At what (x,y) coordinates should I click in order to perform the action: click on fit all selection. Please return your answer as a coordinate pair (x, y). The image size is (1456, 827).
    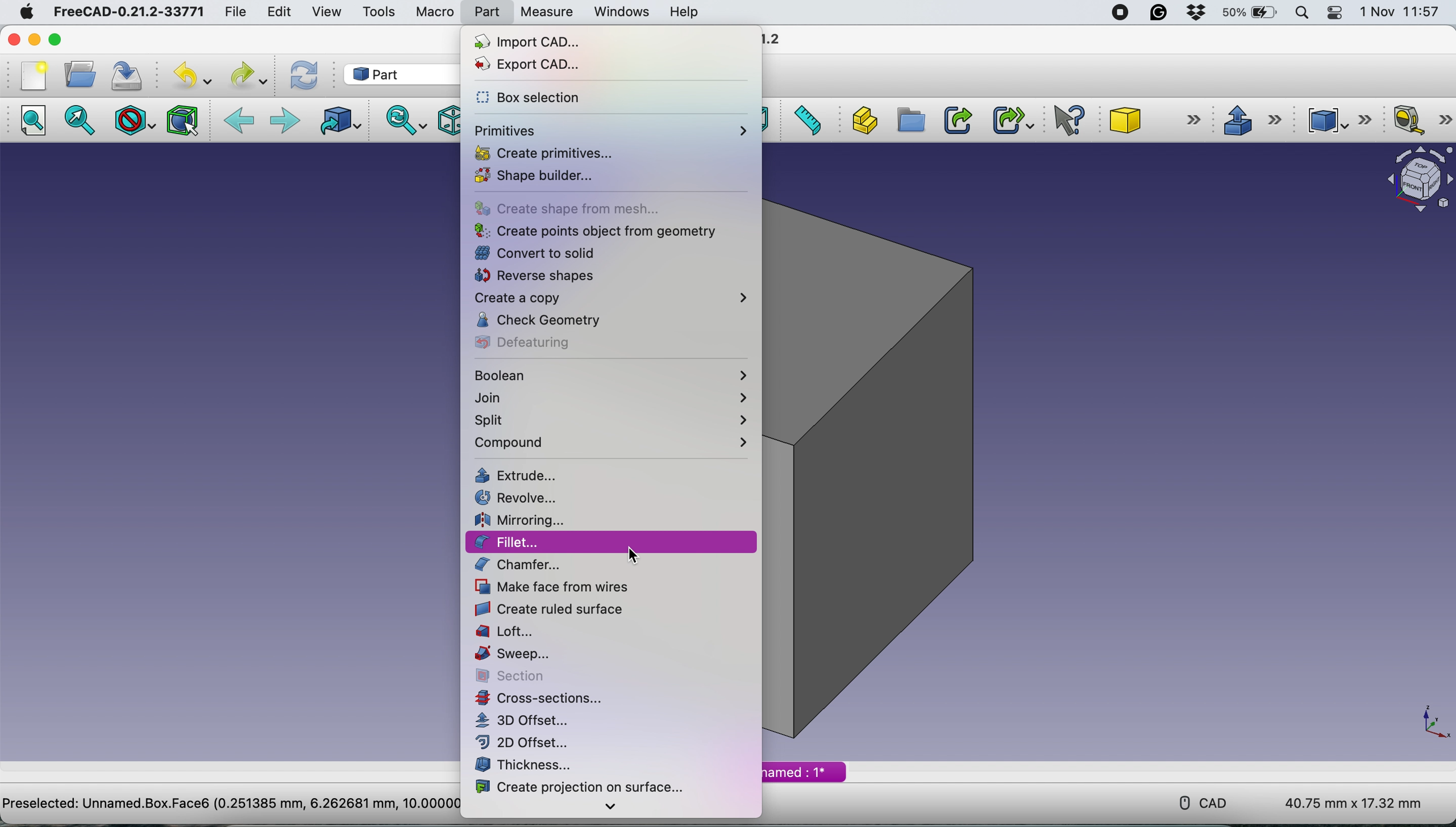
    Looking at the image, I should click on (84, 120).